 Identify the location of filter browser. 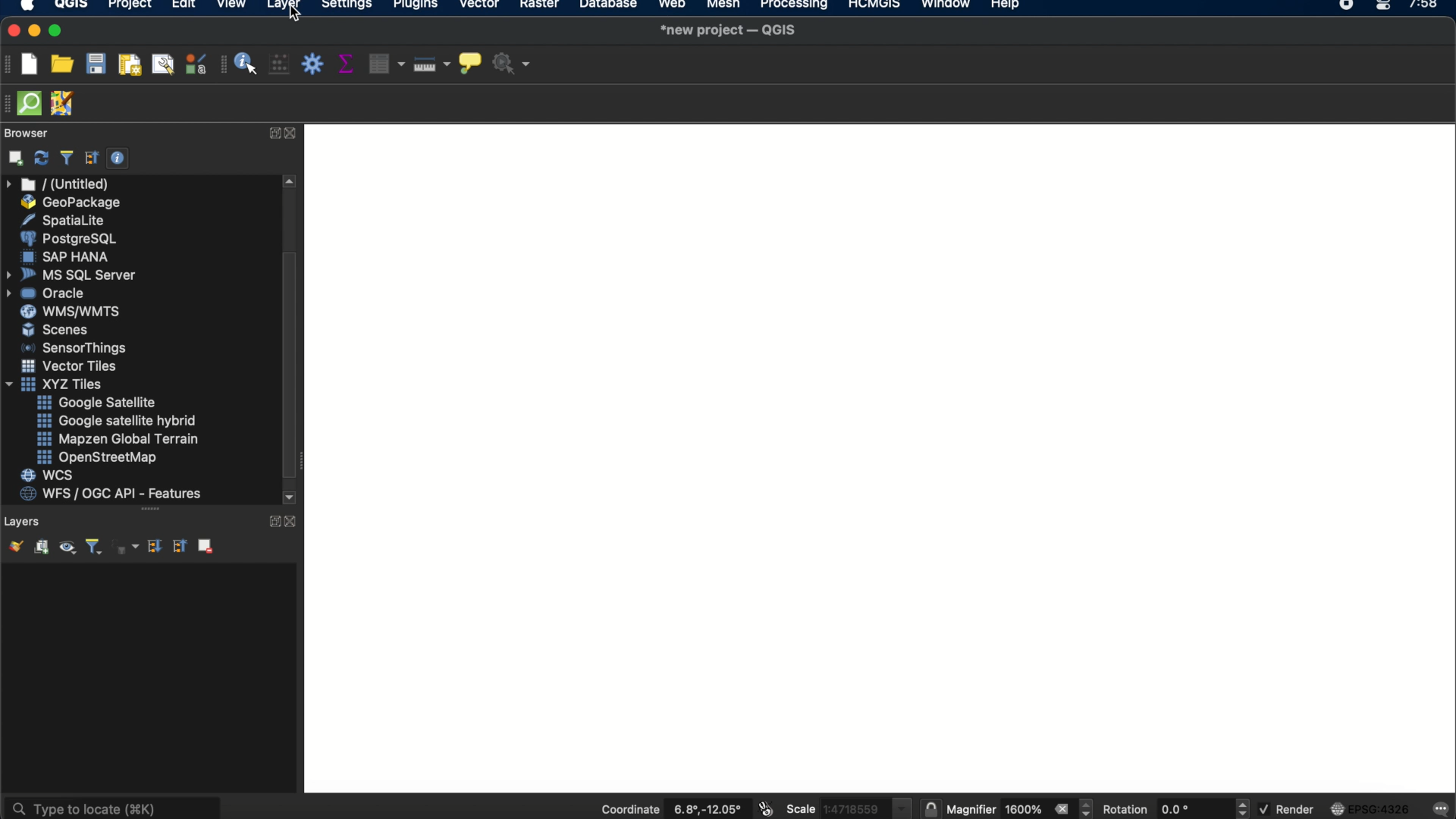
(66, 158).